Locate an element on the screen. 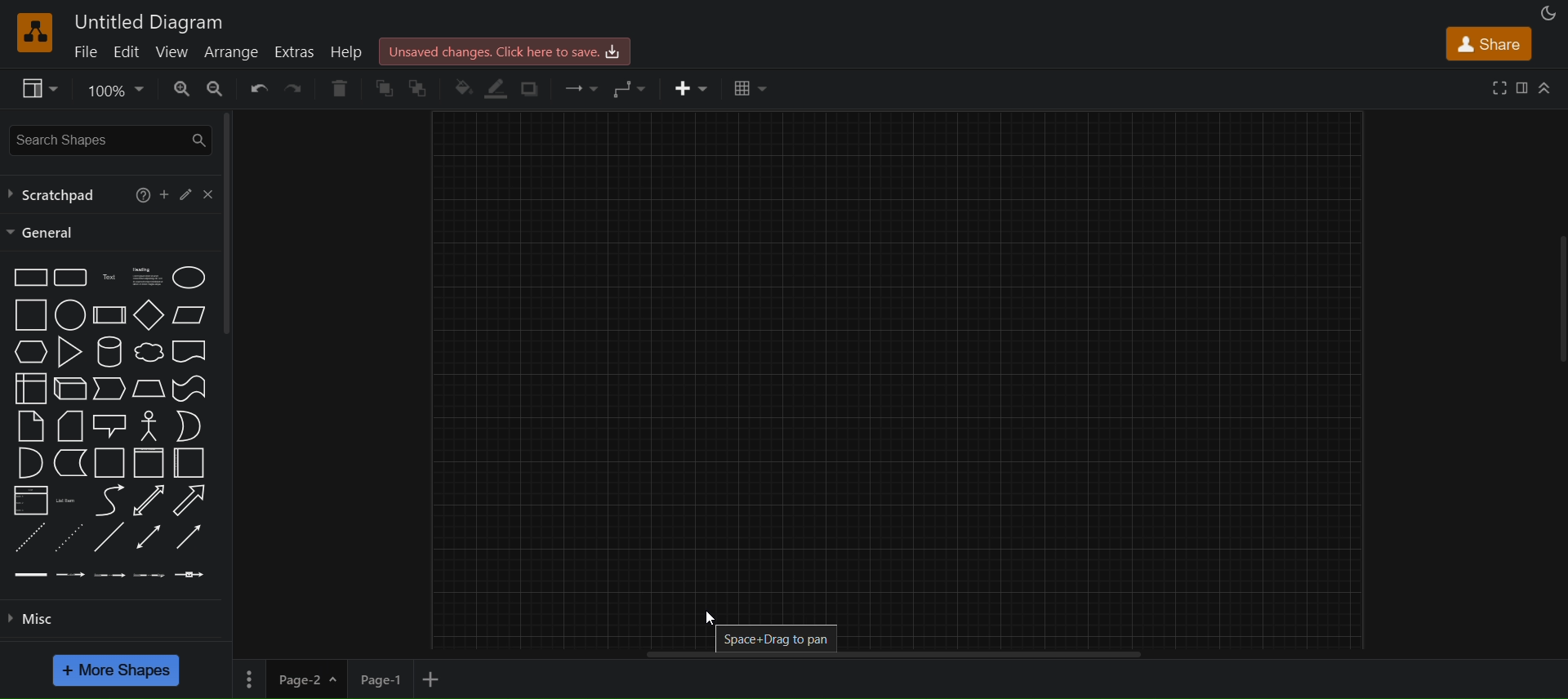 The height and width of the screenshot is (699, 1568). list is located at coordinates (29, 499).